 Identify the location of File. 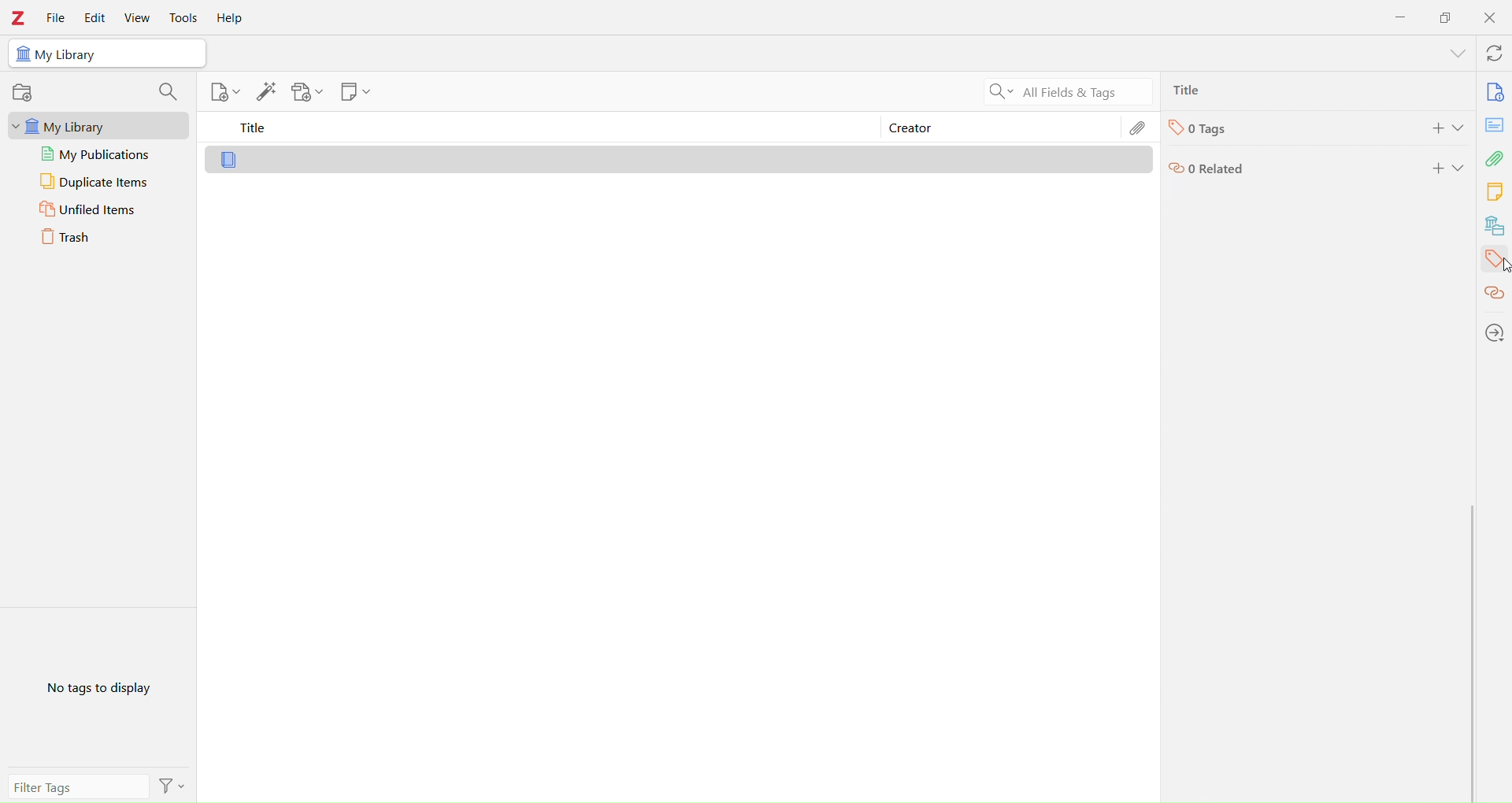
(52, 14).